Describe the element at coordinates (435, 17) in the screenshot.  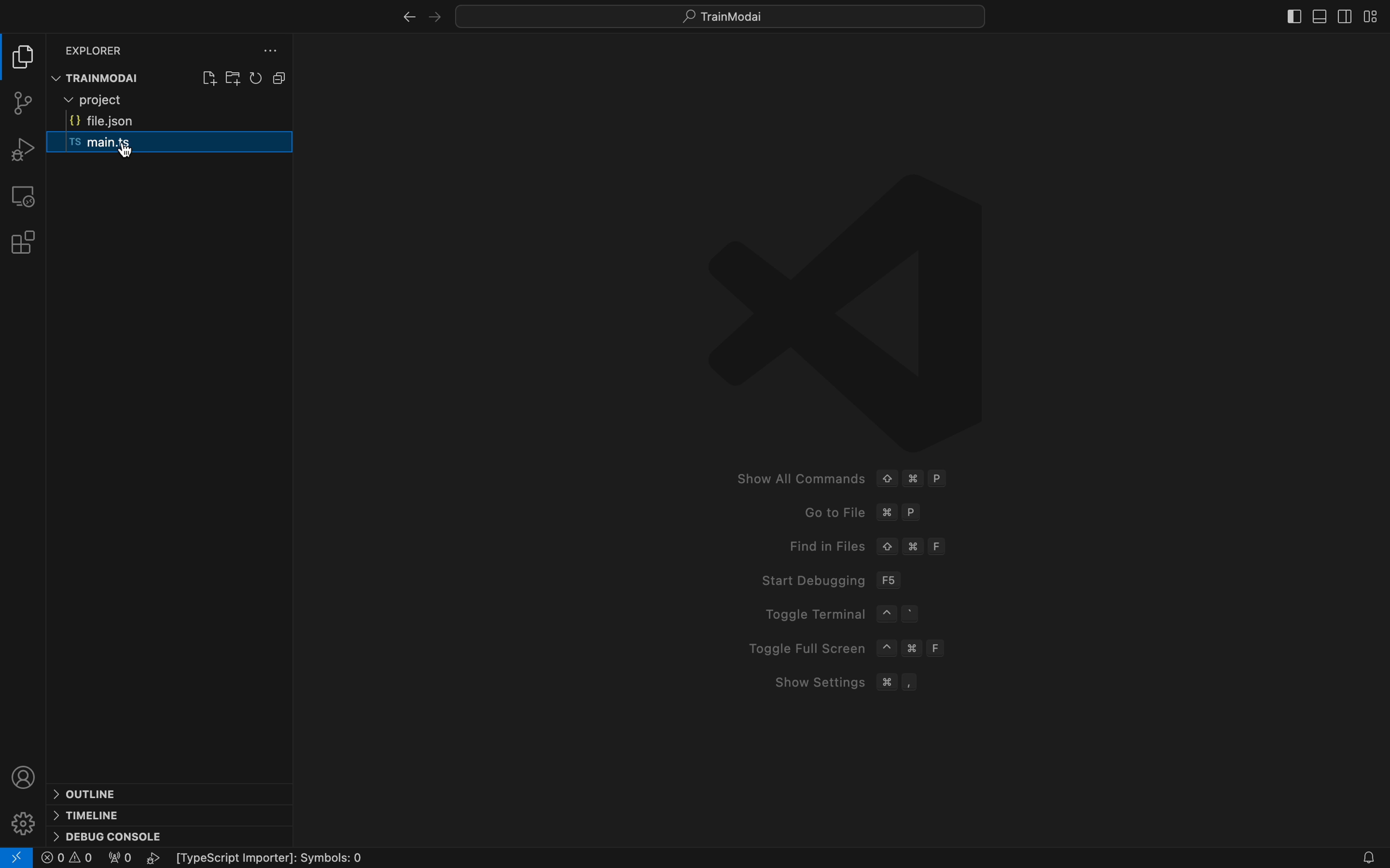
I see `left arrow` at that location.